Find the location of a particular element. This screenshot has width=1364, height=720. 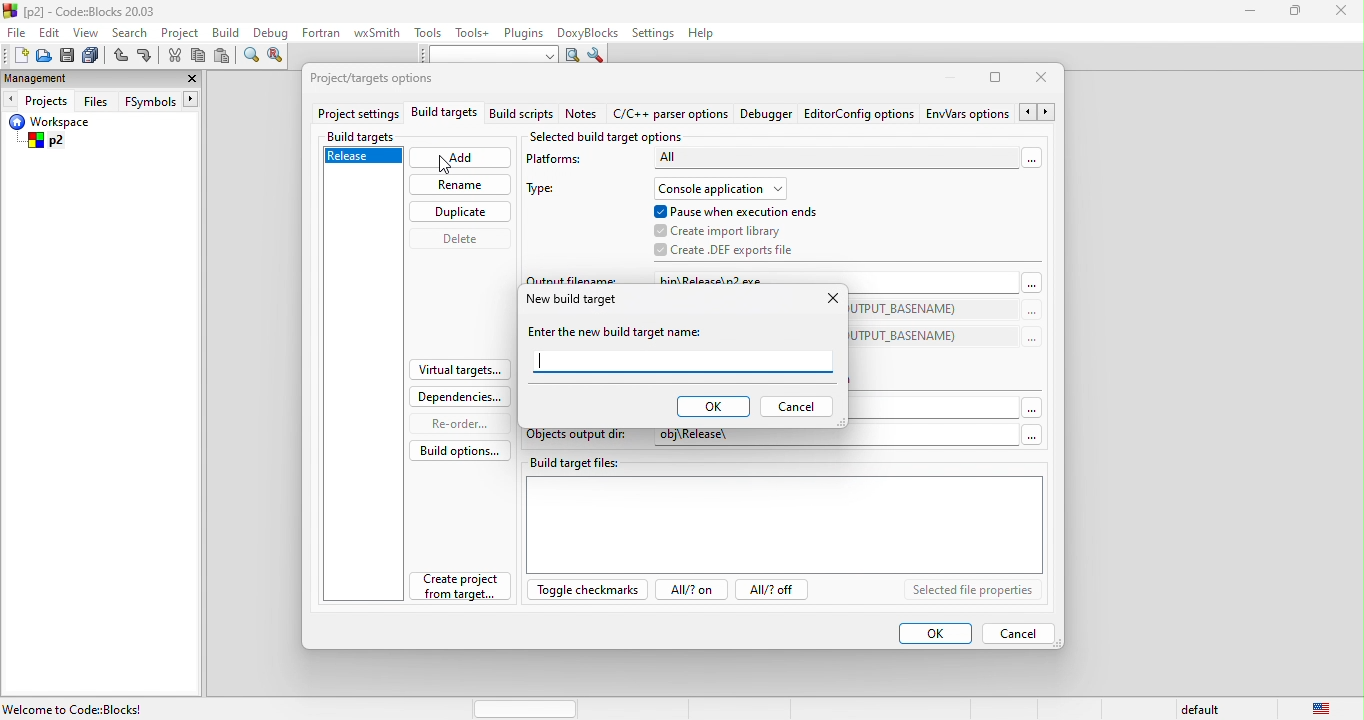

plugins is located at coordinates (525, 34).